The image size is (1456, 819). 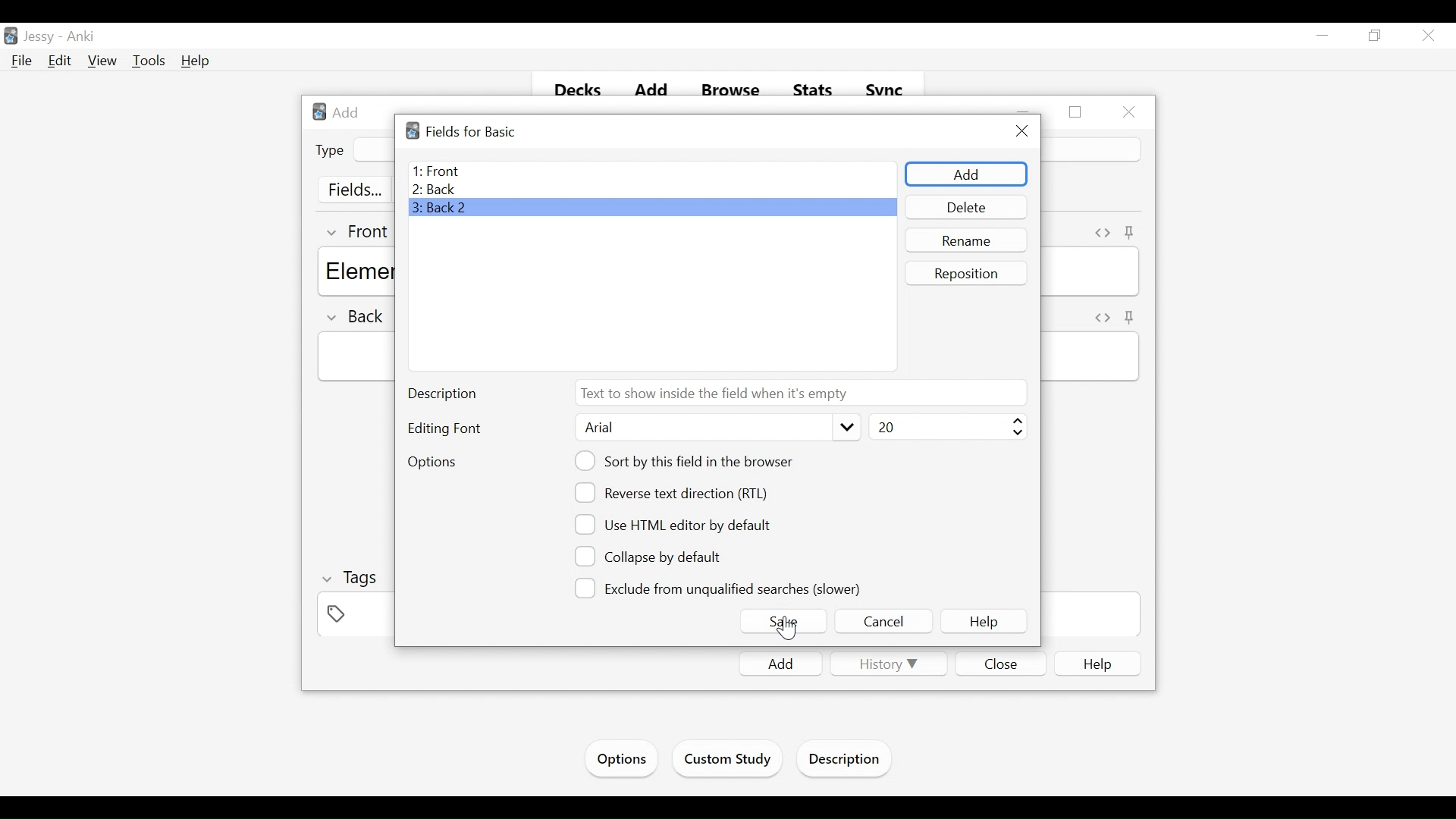 What do you see at coordinates (984, 622) in the screenshot?
I see `Help` at bounding box center [984, 622].